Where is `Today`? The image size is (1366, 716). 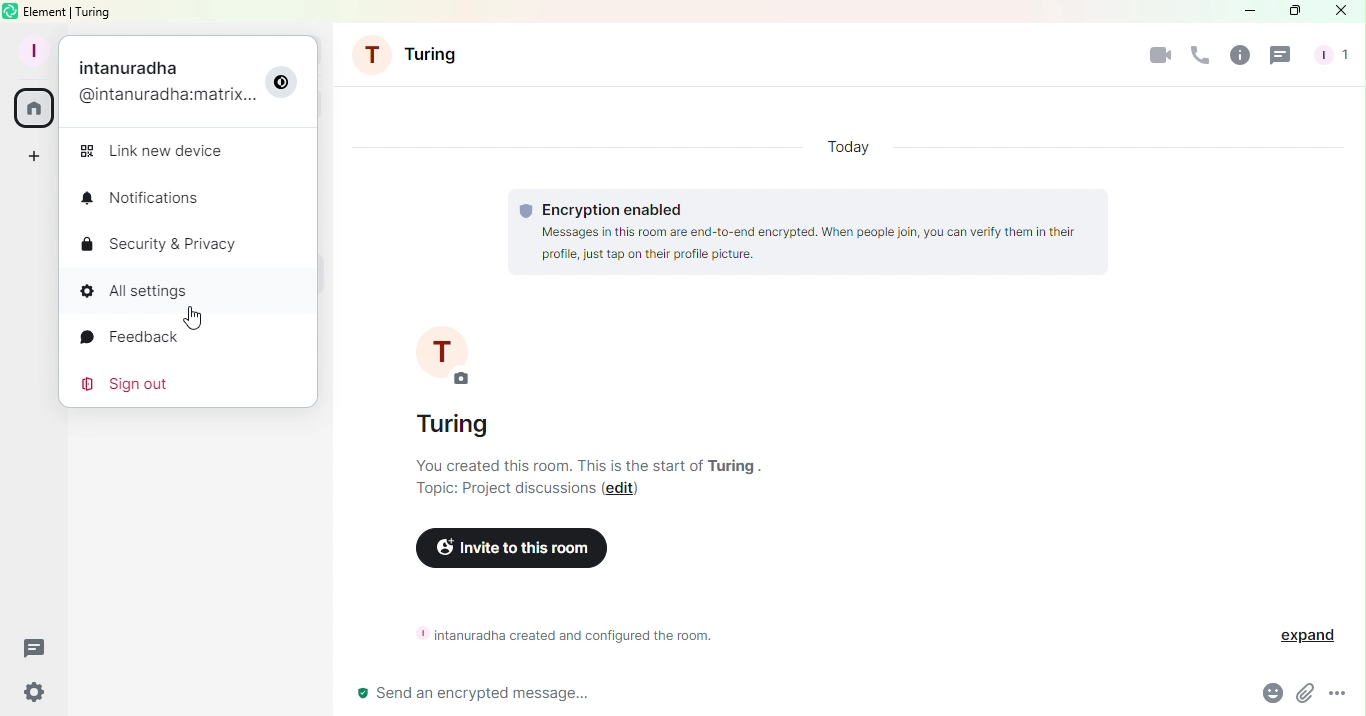
Today is located at coordinates (841, 146).